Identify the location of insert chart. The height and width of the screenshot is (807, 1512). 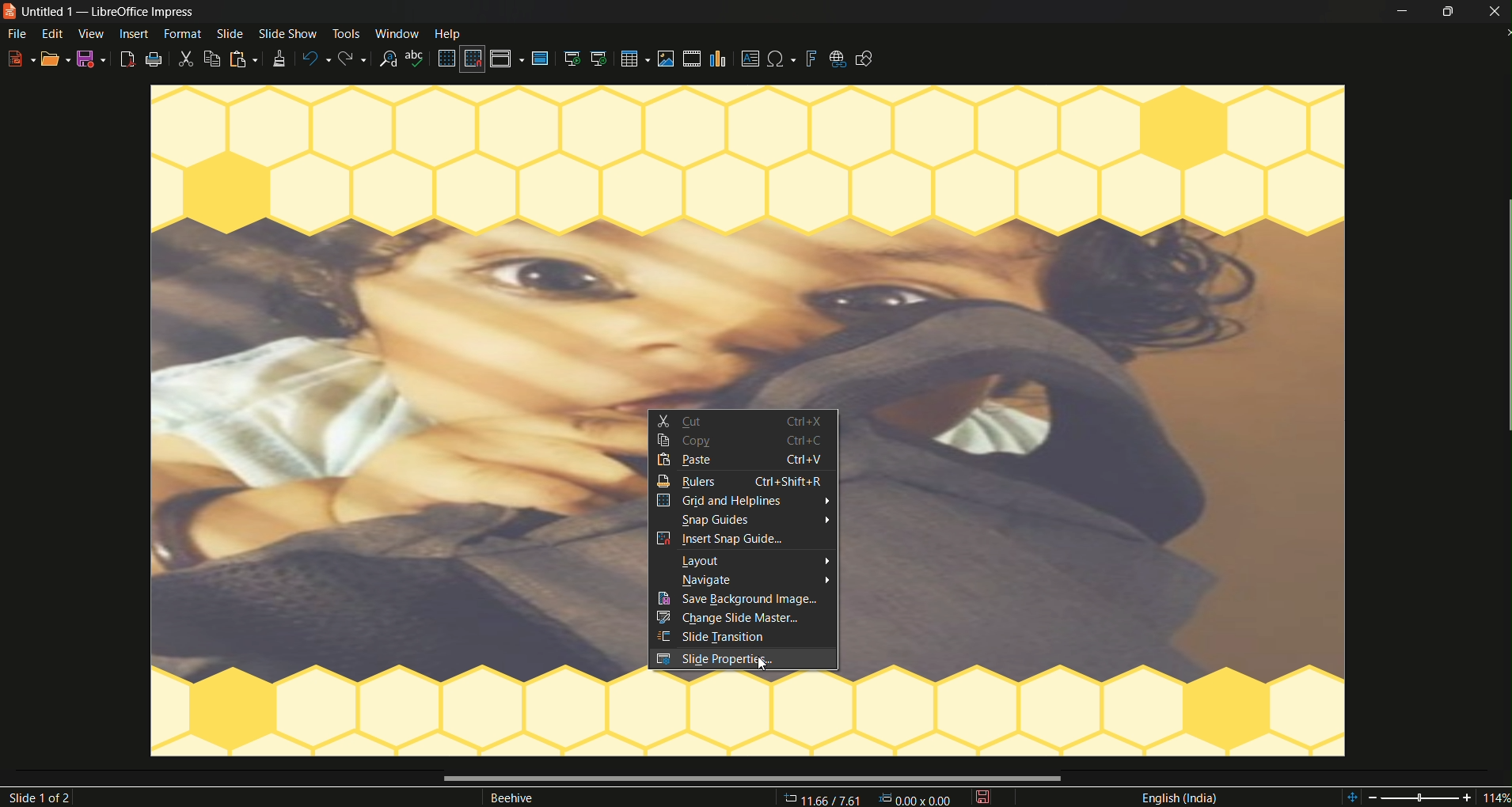
(720, 59).